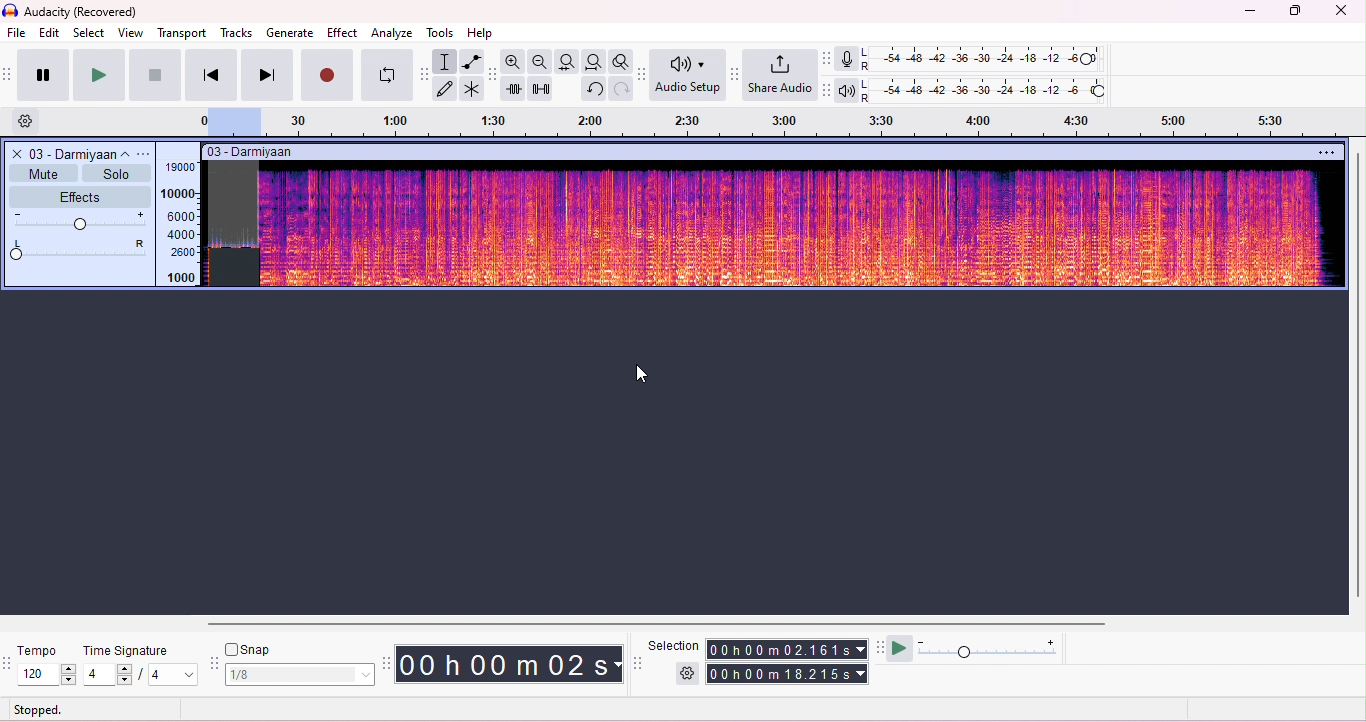 This screenshot has height=722, width=1366. What do you see at coordinates (38, 709) in the screenshot?
I see `stopped` at bounding box center [38, 709].